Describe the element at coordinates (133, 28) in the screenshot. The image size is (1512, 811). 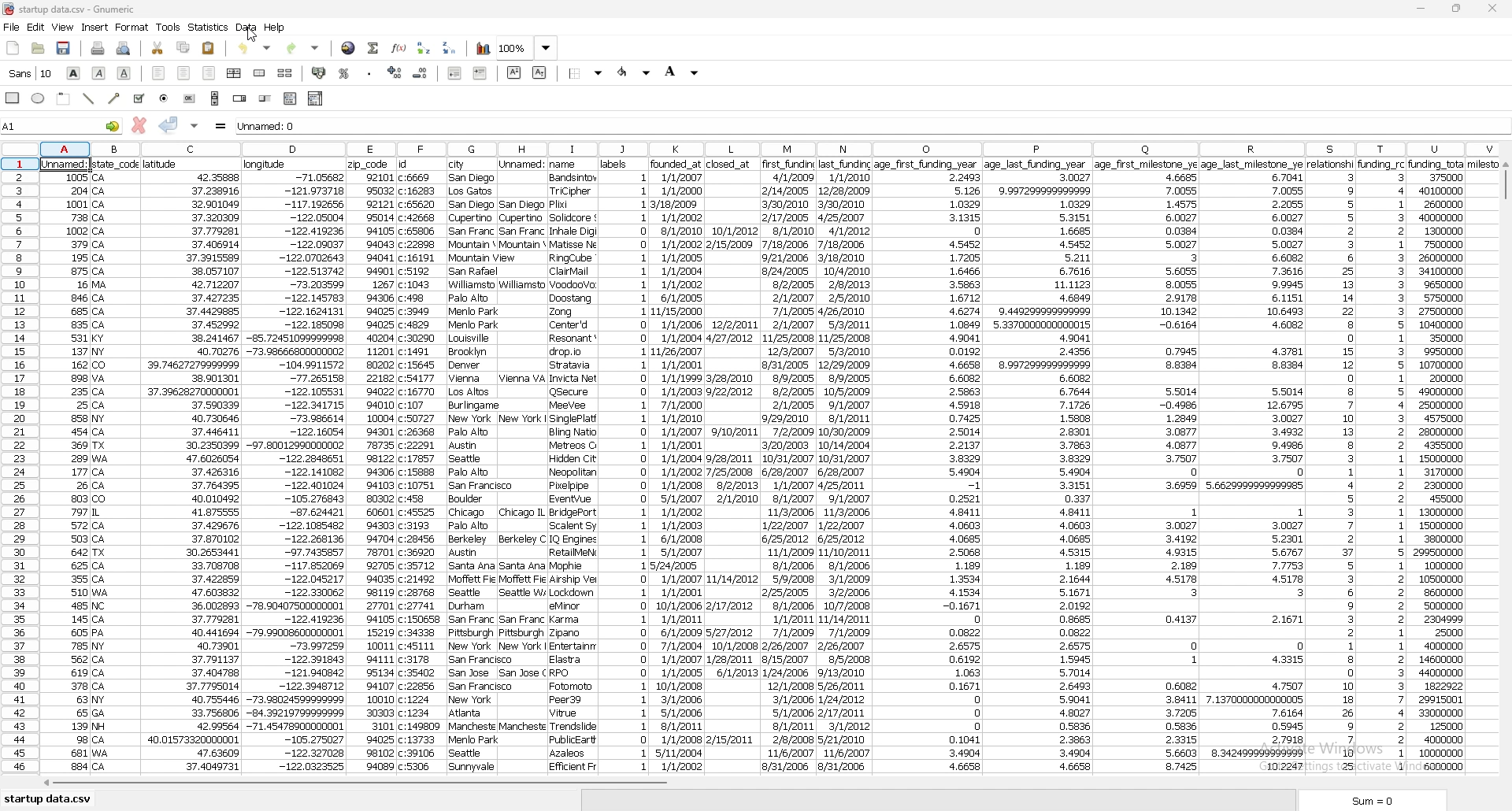
I see `format` at that location.